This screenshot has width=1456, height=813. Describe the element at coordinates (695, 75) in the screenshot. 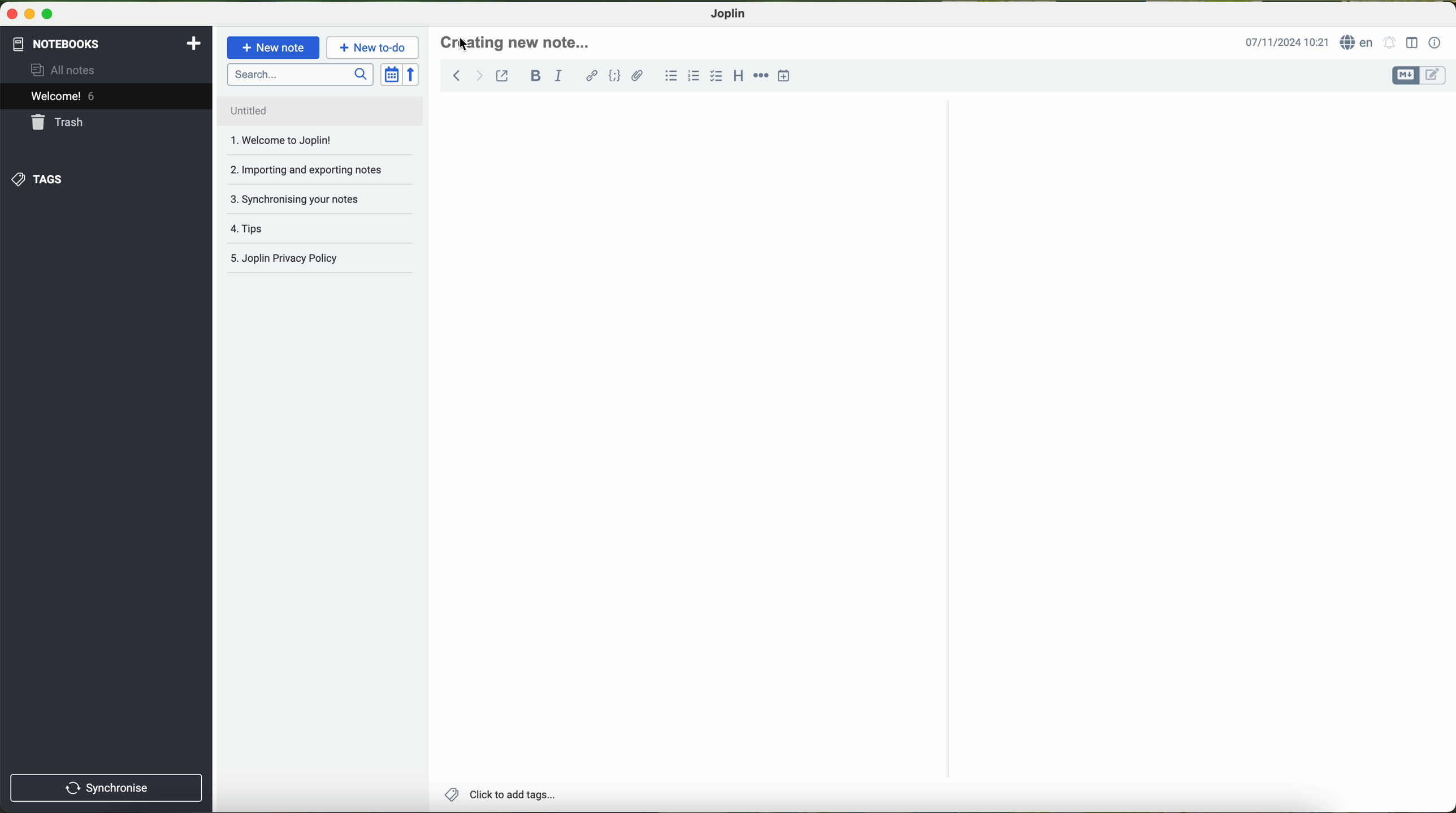

I see `numbered list` at that location.